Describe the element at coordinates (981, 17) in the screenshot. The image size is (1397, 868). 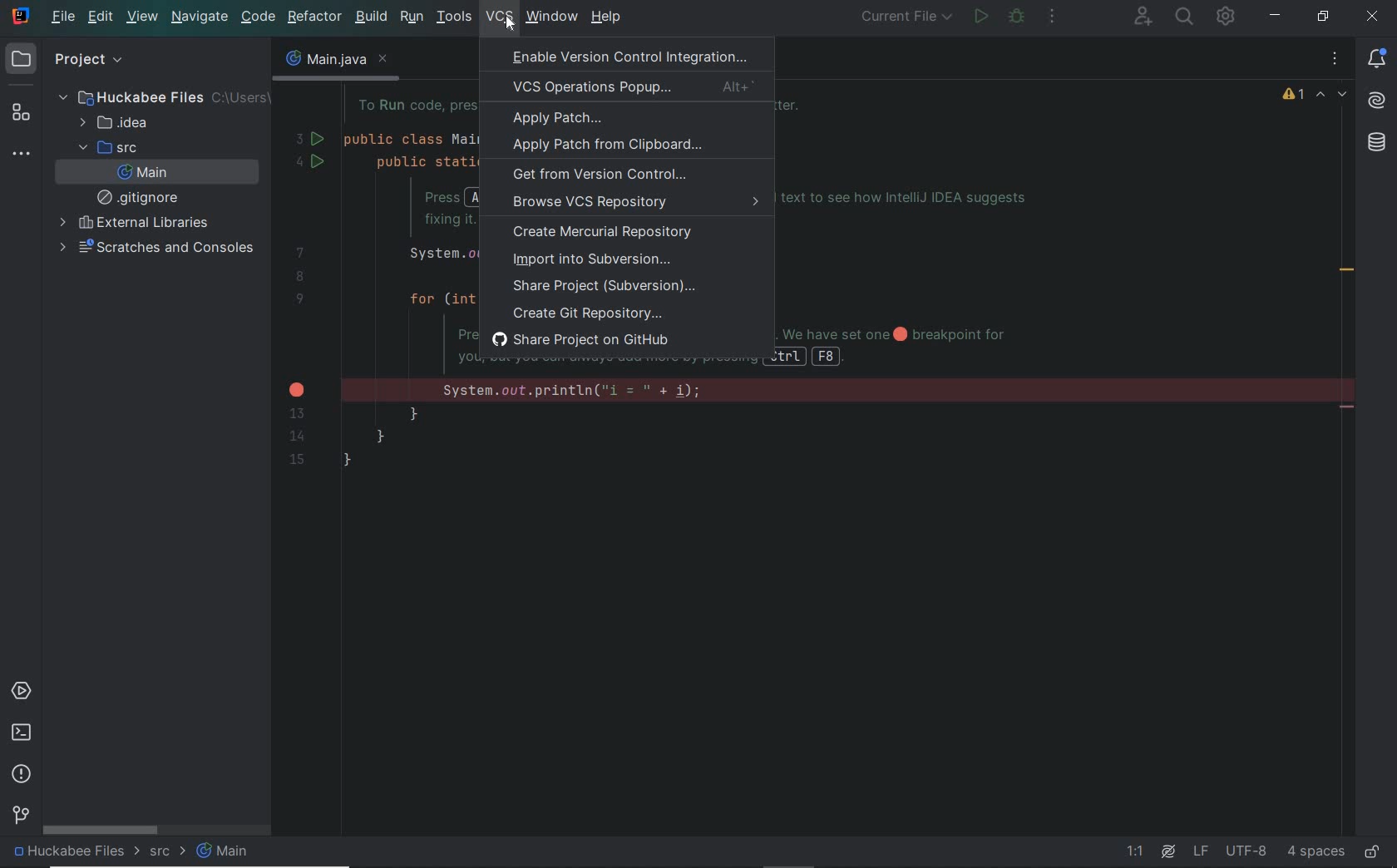
I see `run` at that location.